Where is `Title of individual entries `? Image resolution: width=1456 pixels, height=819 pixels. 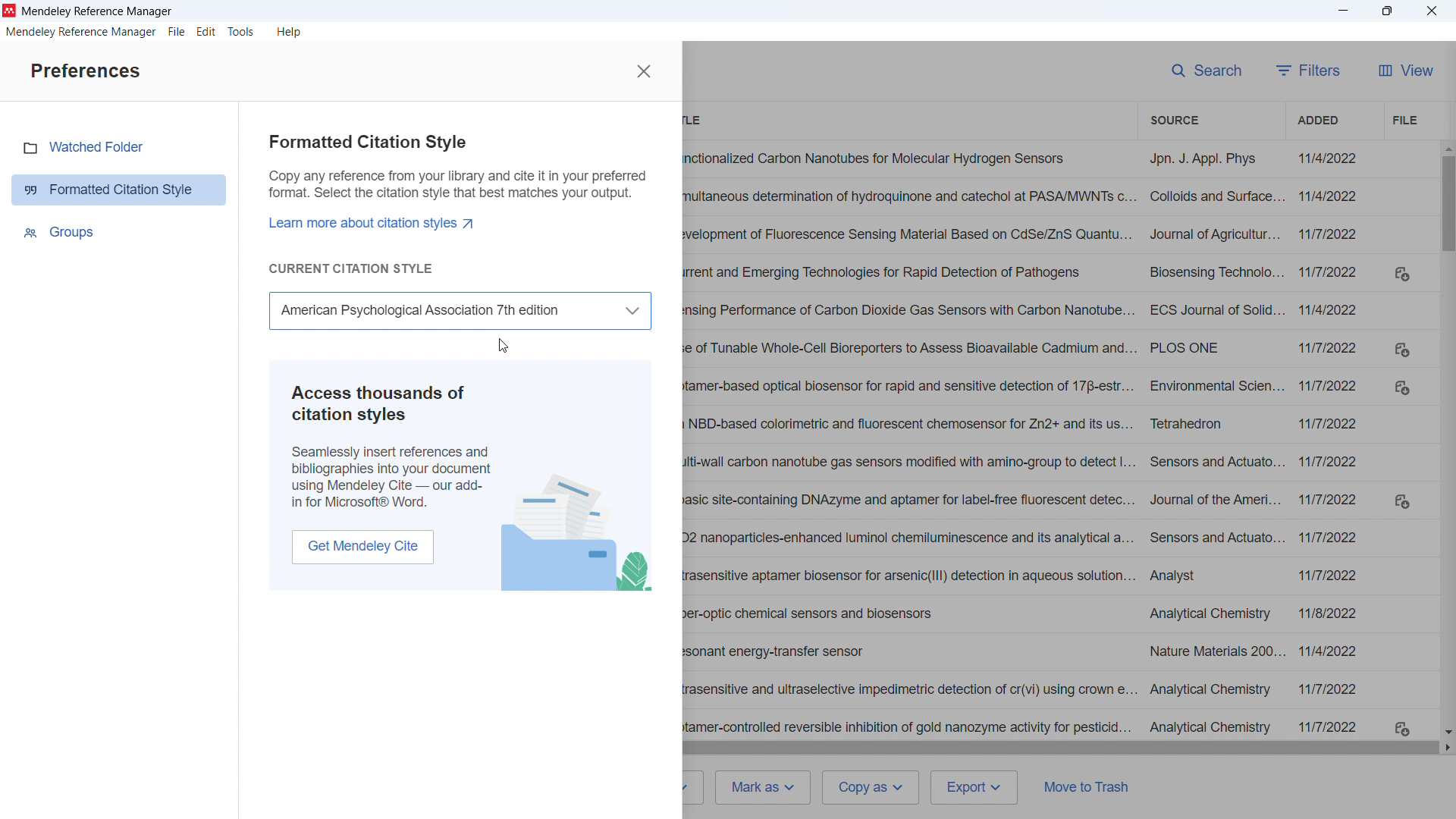 Title of individual entries  is located at coordinates (908, 444).